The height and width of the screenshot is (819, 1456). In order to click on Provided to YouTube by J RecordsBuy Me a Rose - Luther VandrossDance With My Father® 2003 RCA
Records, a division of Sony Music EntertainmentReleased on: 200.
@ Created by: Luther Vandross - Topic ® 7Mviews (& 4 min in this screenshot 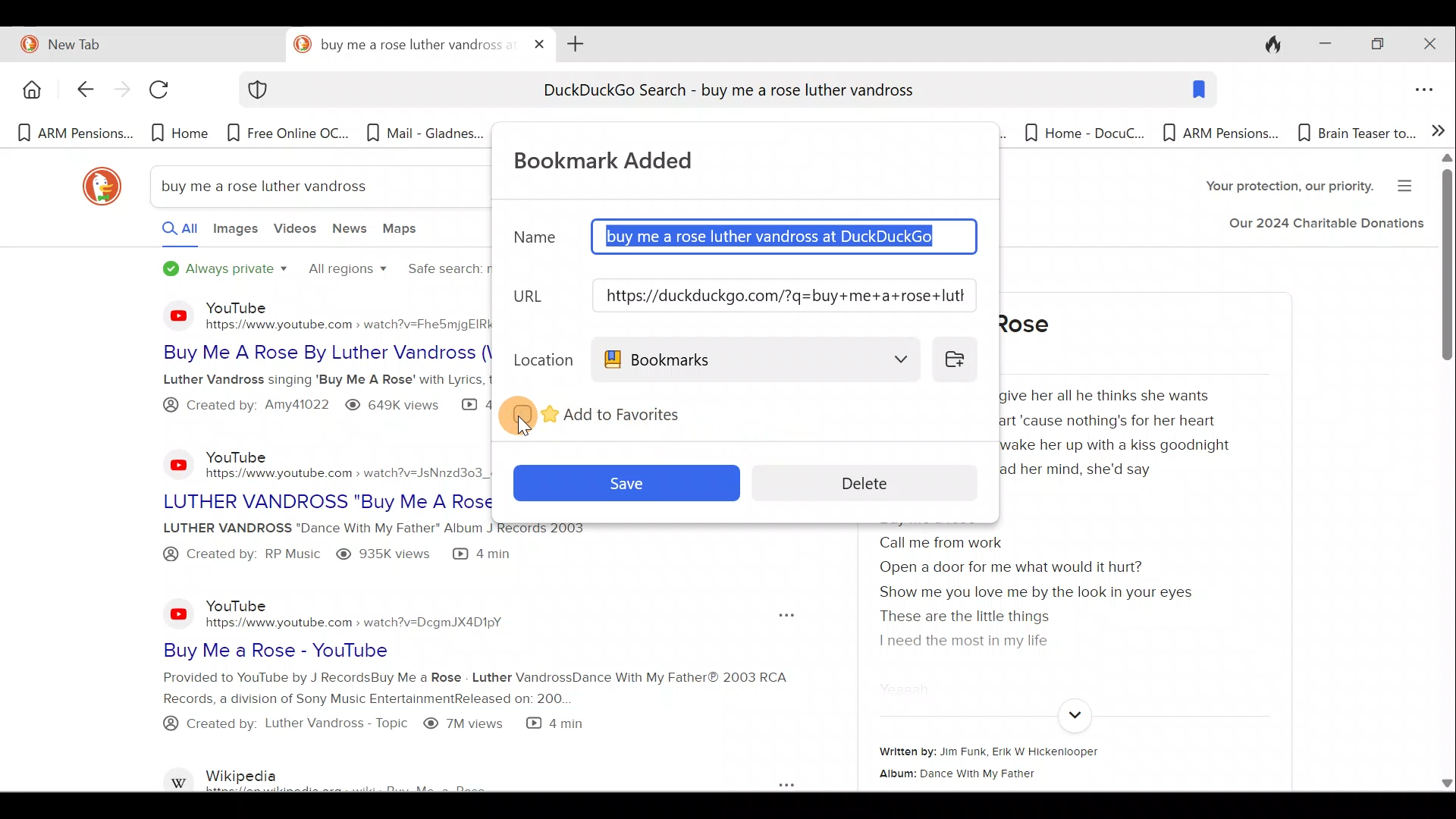, I will do `click(434, 711)`.